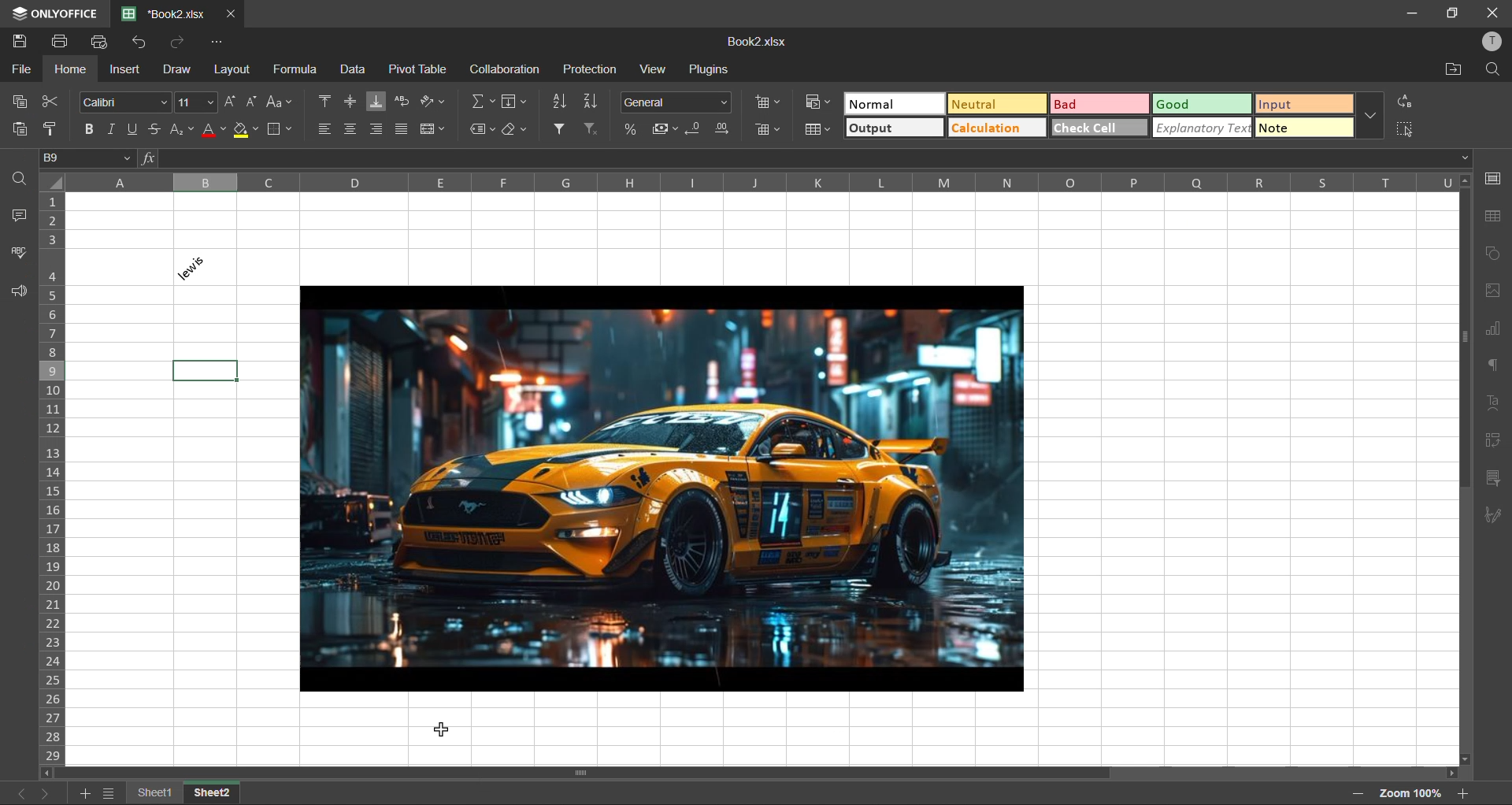 This screenshot has width=1512, height=805. Describe the element at coordinates (1491, 217) in the screenshot. I see `table` at that location.